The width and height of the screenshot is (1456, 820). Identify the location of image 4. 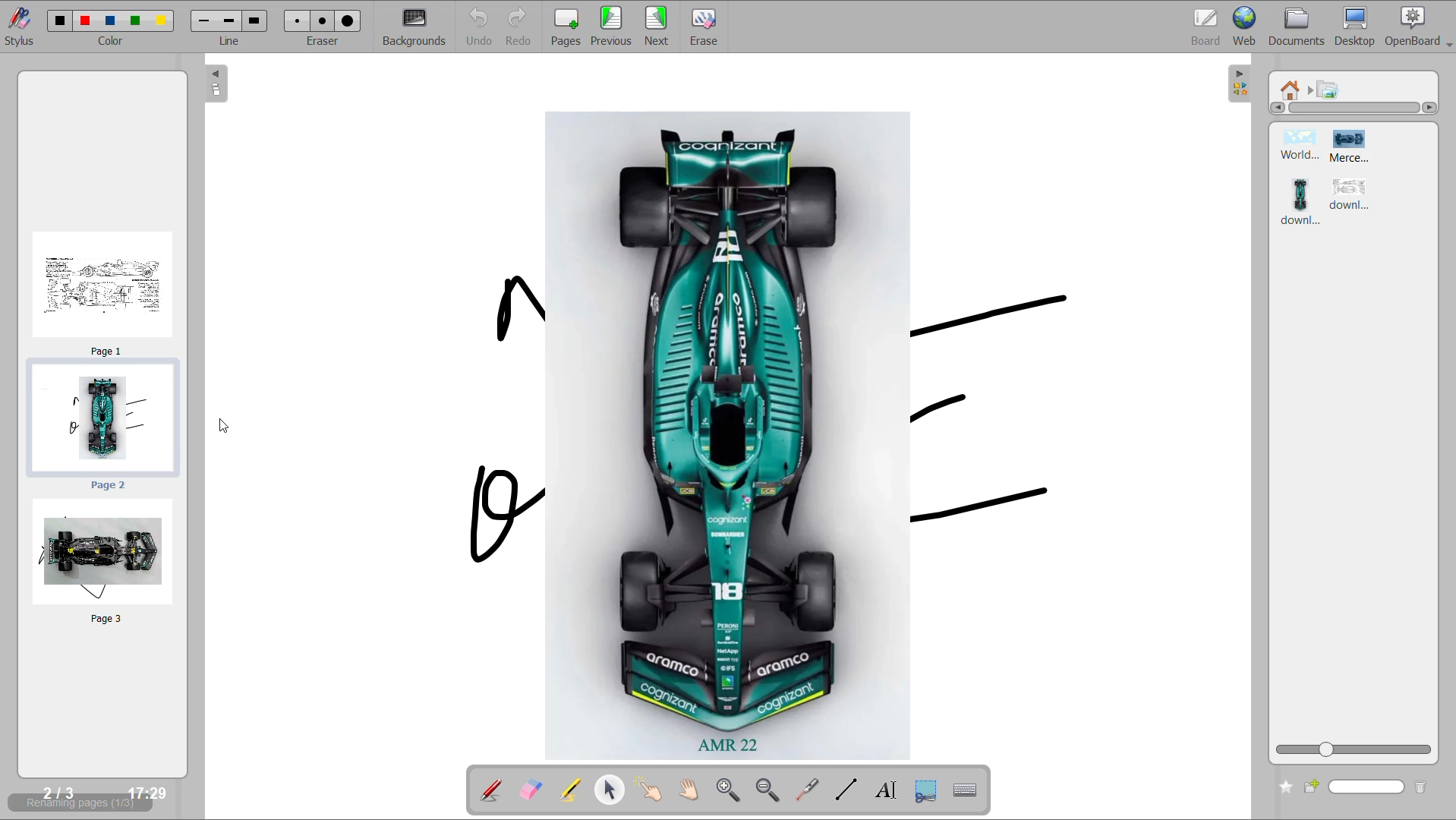
(1351, 196).